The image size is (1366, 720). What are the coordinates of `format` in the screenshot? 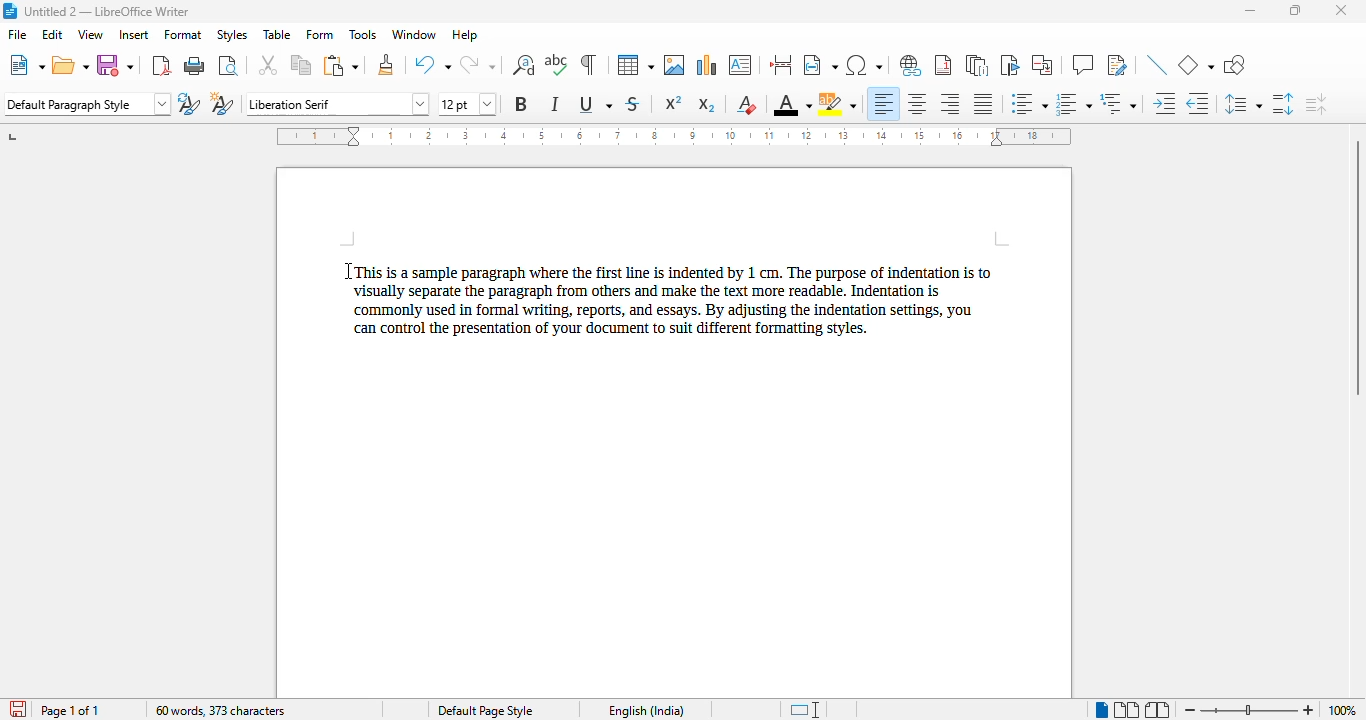 It's located at (183, 34).